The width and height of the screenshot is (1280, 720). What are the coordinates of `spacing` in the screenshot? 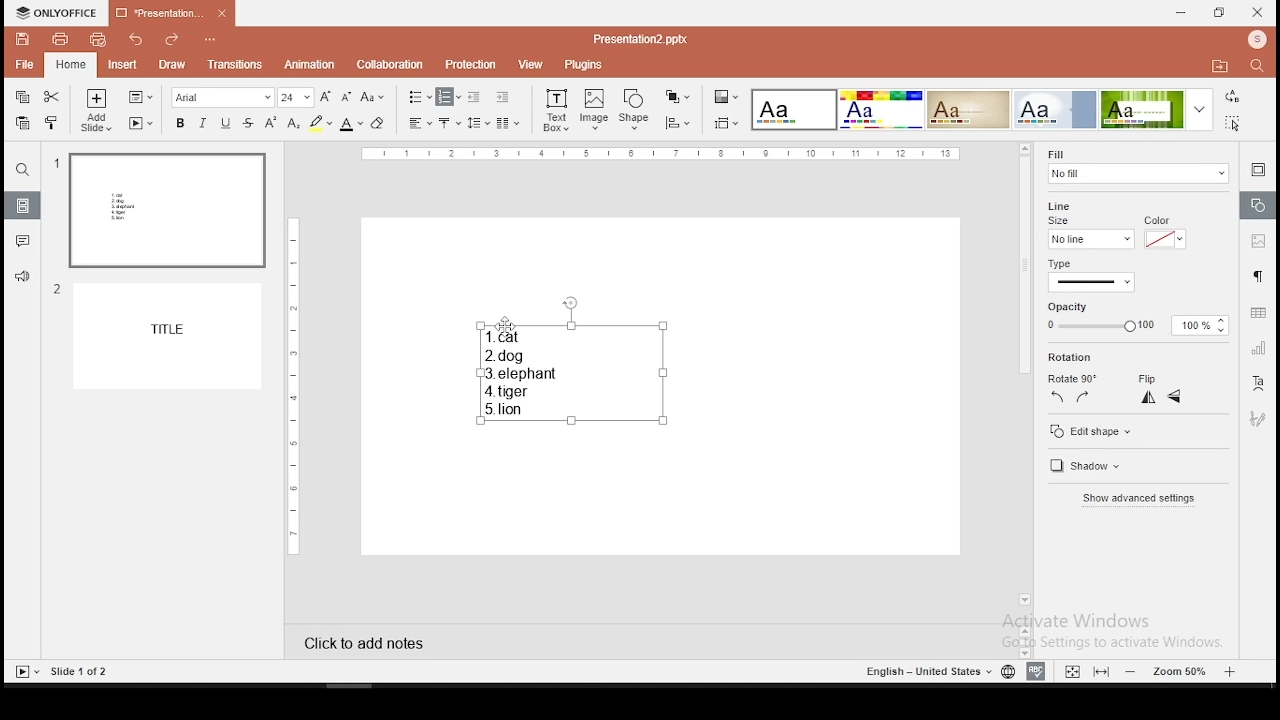 It's located at (479, 122).